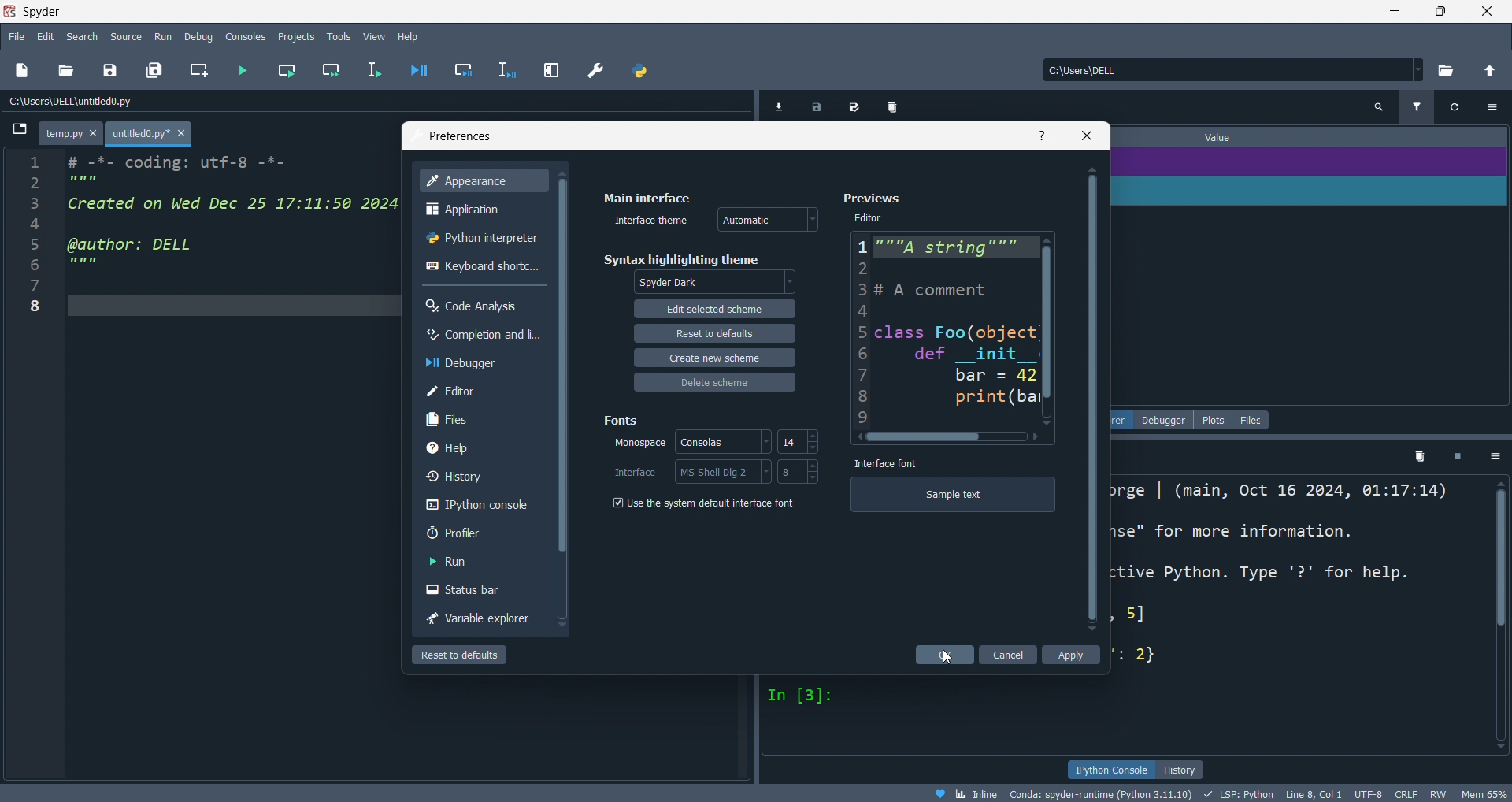  What do you see at coordinates (485, 267) in the screenshot?
I see `shortcuts` at bounding box center [485, 267].